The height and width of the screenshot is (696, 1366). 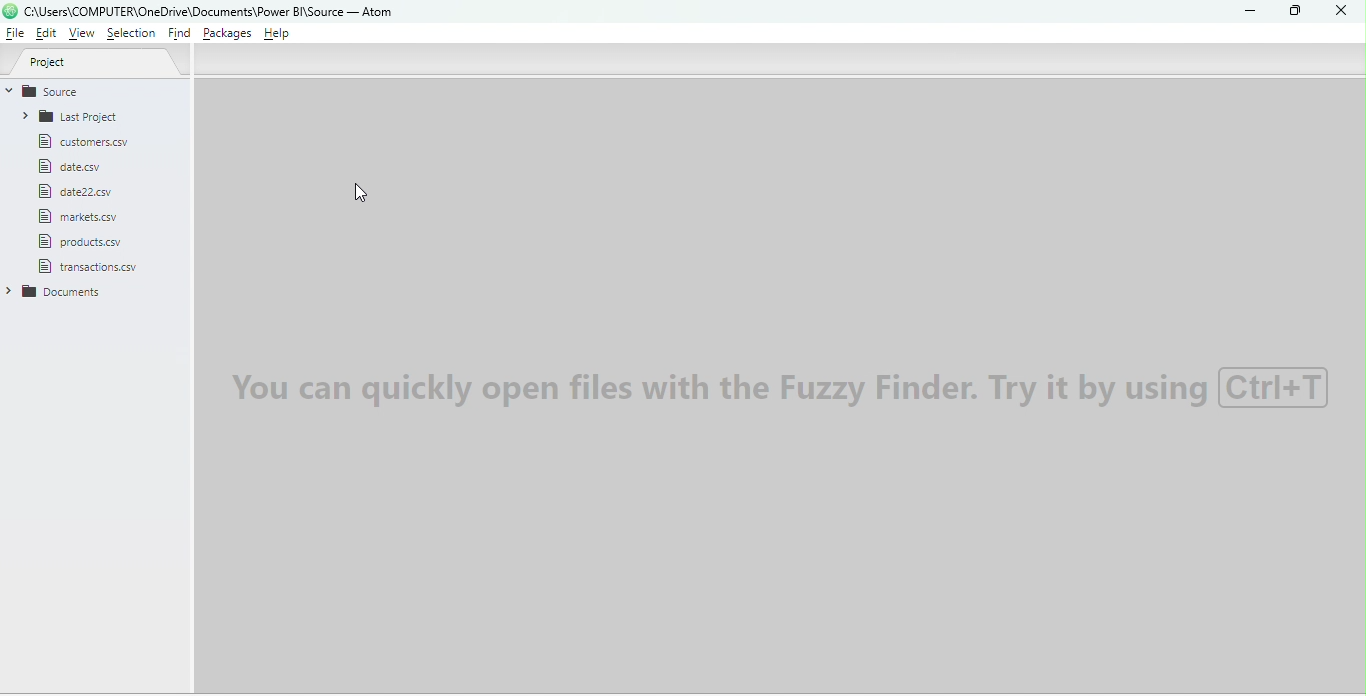 What do you see at coordinates (85, 118) in the screenshot?
I see `Folder` at bounding box center [85, 118].